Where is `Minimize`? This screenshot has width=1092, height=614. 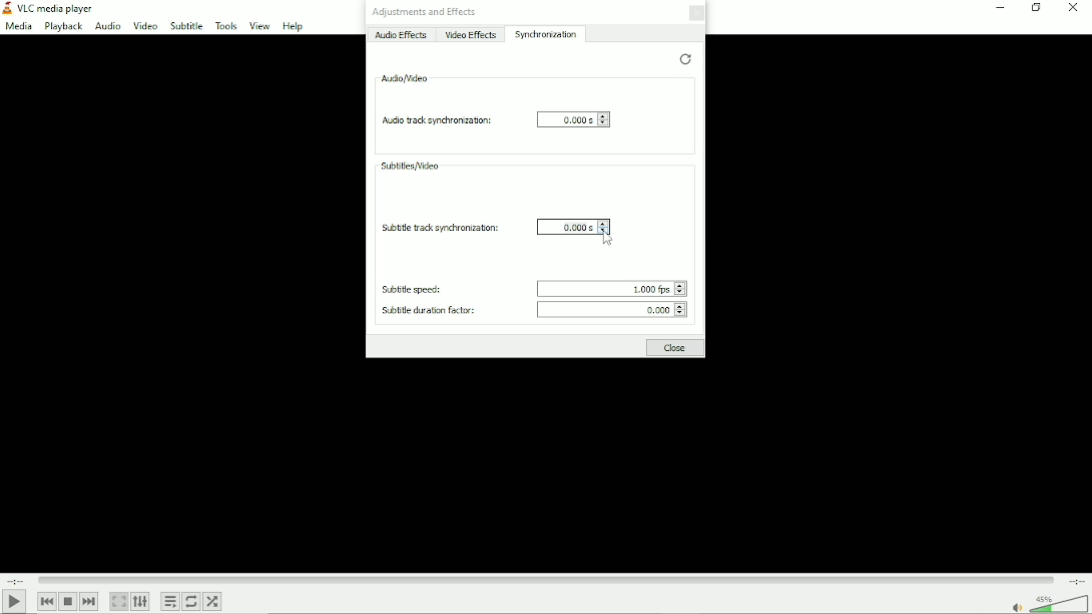 Minimize is located at coordinates (1000, 7).